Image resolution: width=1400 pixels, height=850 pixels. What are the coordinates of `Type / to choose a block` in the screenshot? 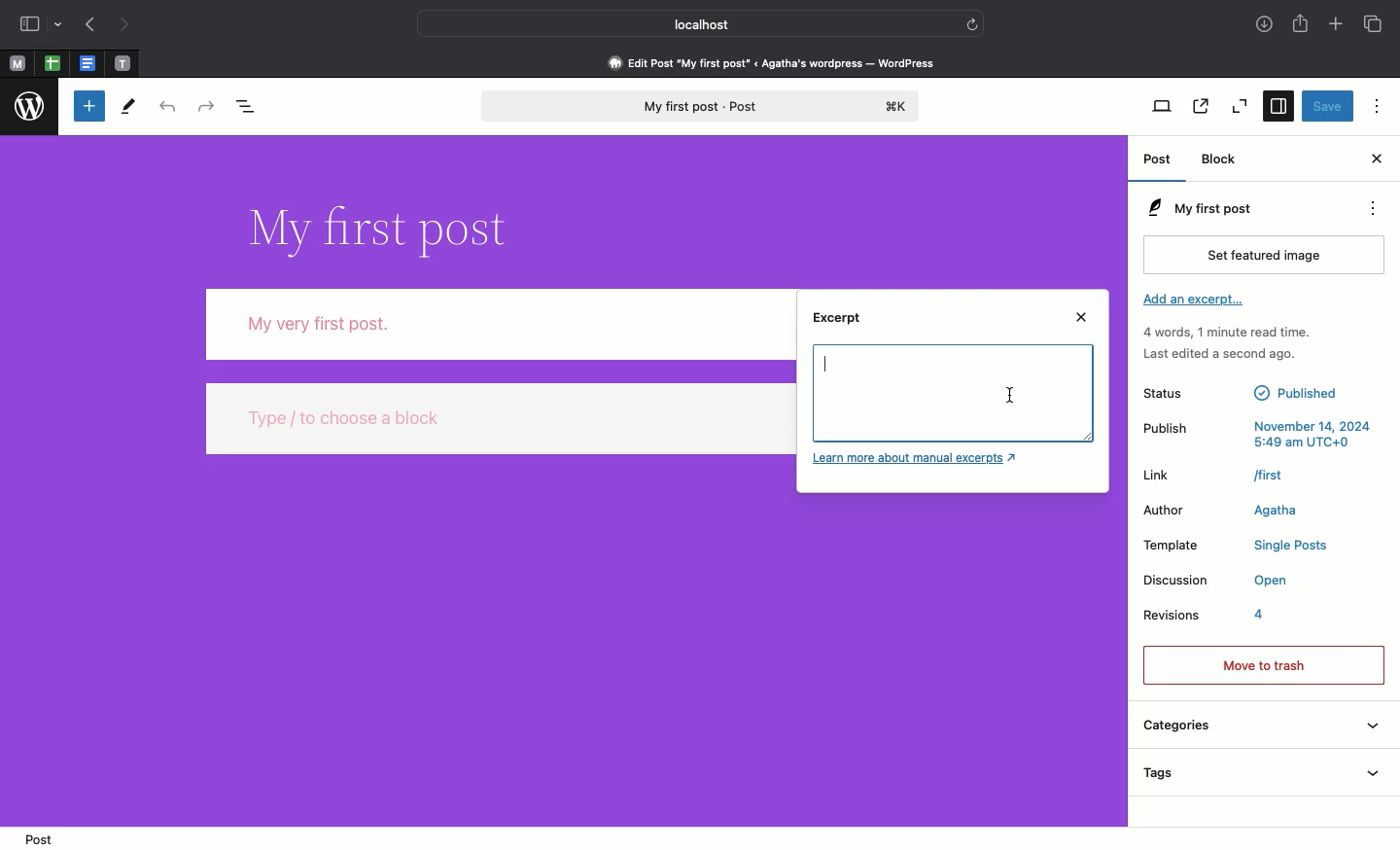 It's located at (502, 422).